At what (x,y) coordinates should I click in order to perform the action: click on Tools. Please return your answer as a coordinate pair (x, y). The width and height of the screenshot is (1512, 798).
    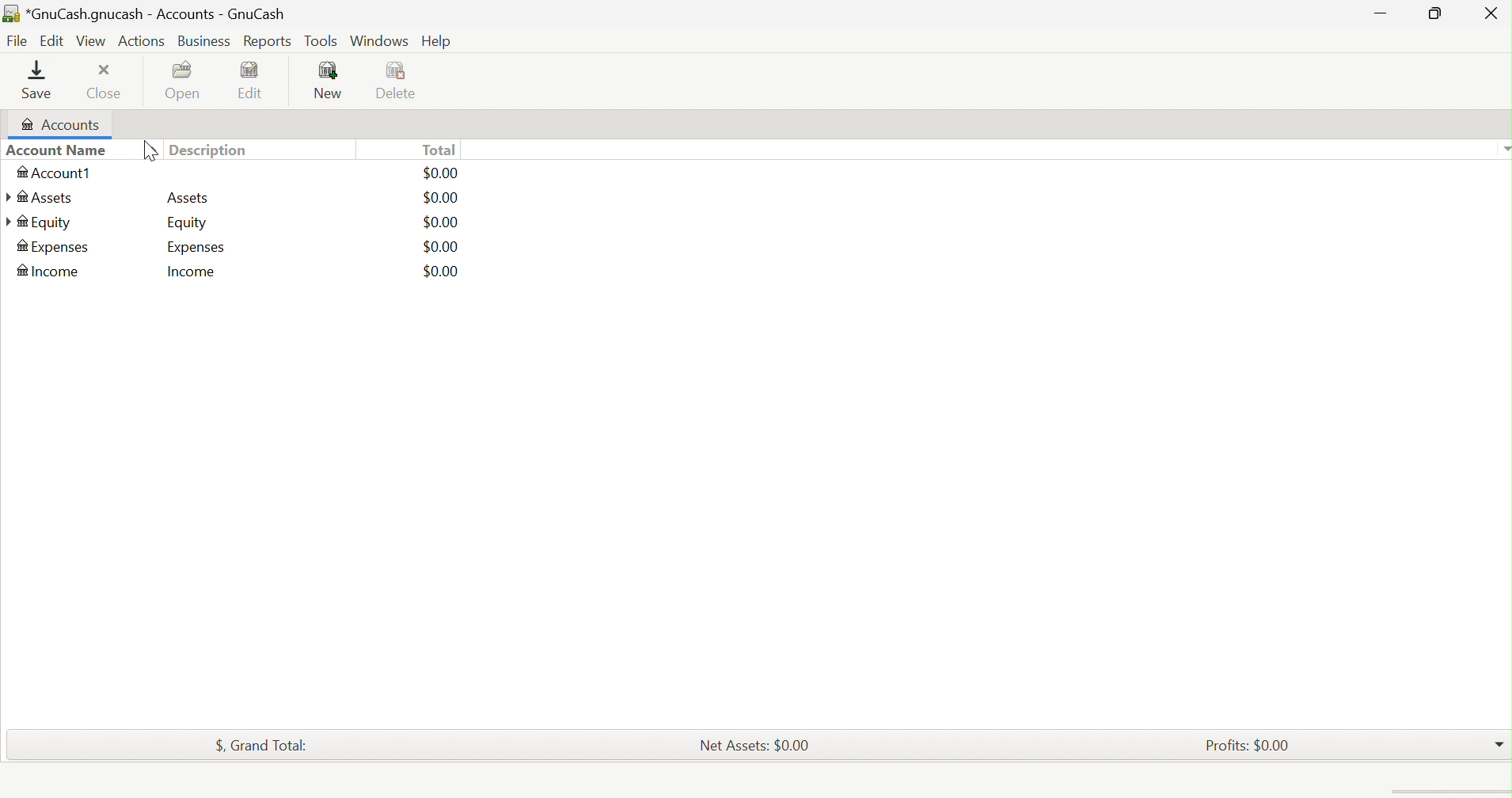
    Looking at the image, I should click on (322, 41).